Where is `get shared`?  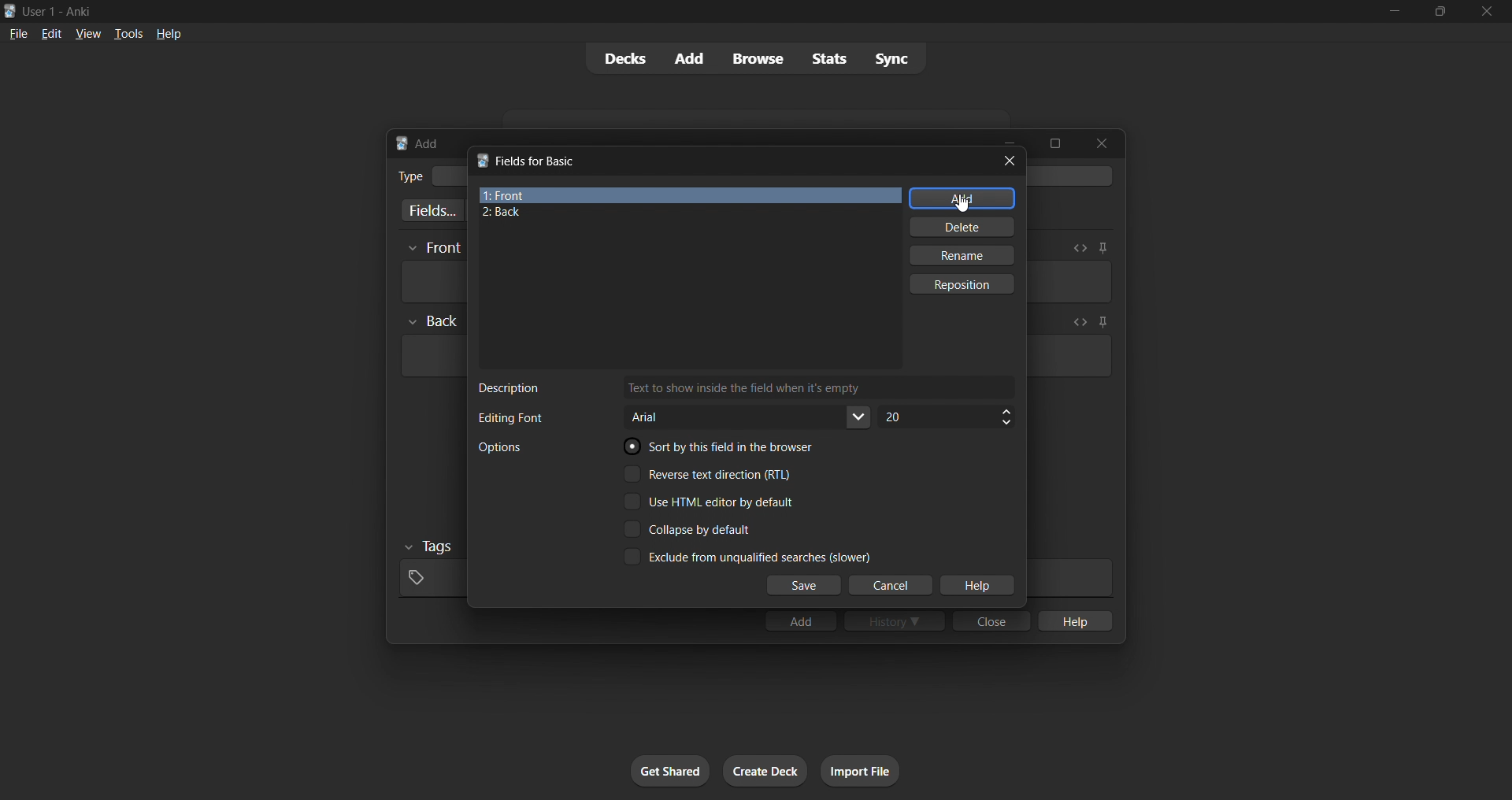
get shared is located at coordinates (670, 771).